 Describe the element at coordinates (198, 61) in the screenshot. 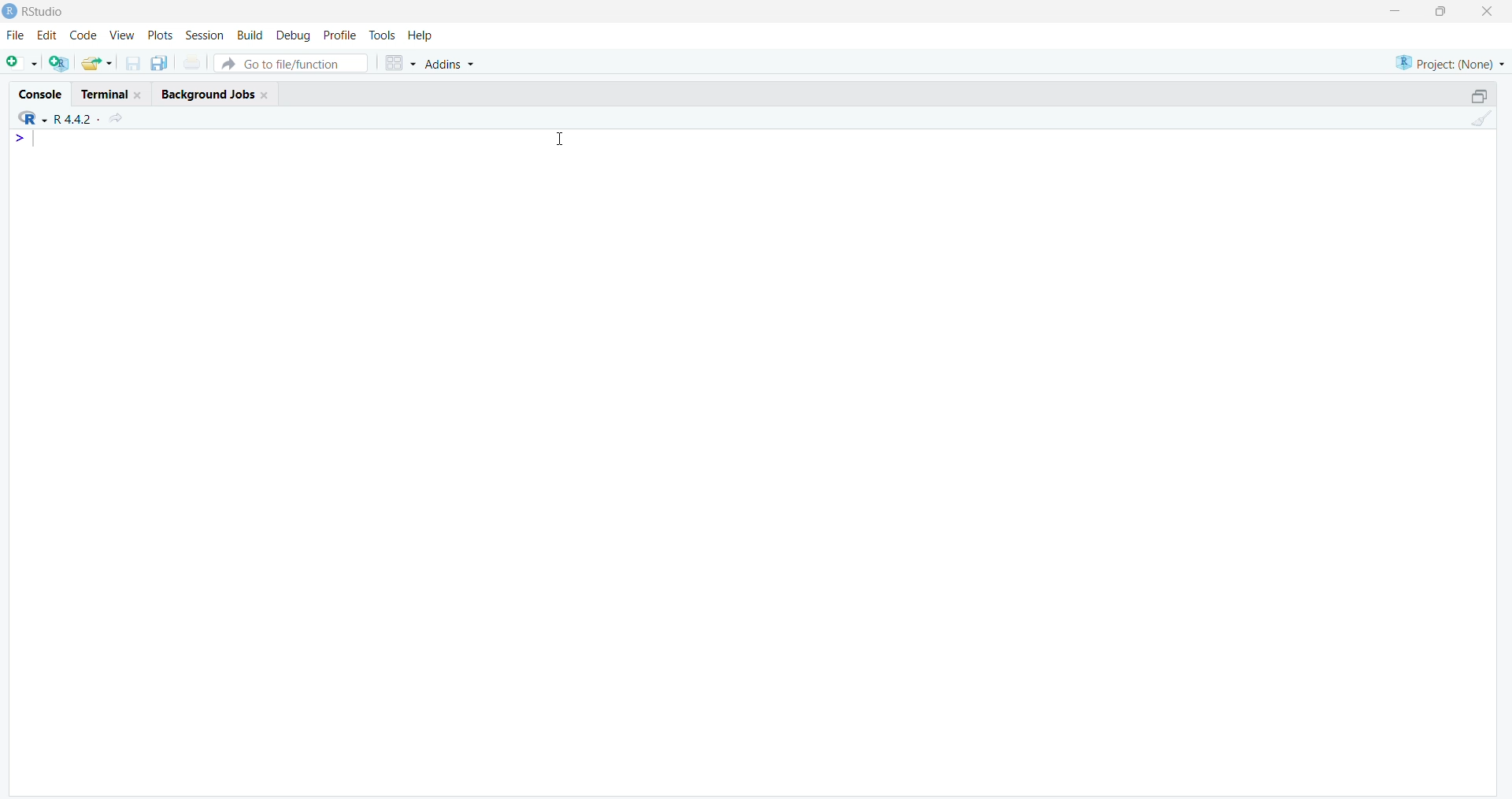

I see `Print the current file` at that location.